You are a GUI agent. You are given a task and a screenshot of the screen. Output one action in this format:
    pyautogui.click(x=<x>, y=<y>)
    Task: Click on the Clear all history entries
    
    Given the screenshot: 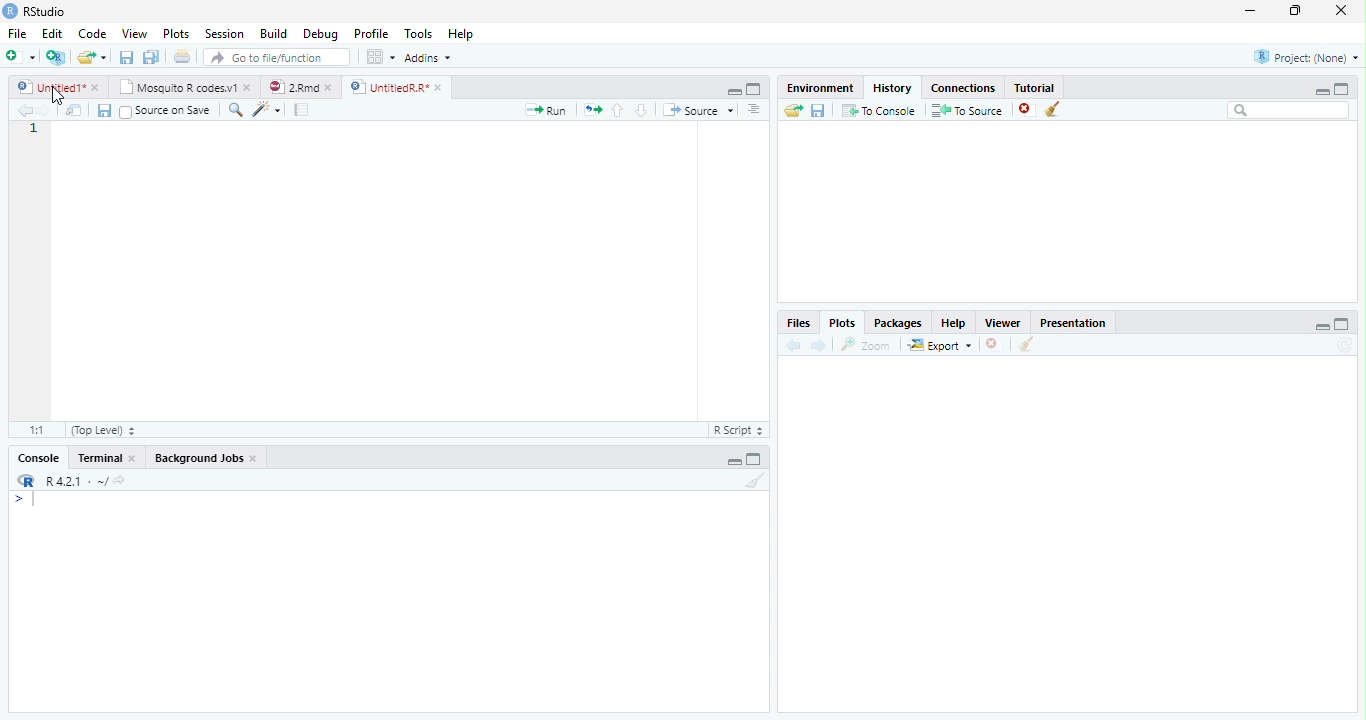 What is the action you would take?
    pyautogui.click(x=1052, y=109)
    